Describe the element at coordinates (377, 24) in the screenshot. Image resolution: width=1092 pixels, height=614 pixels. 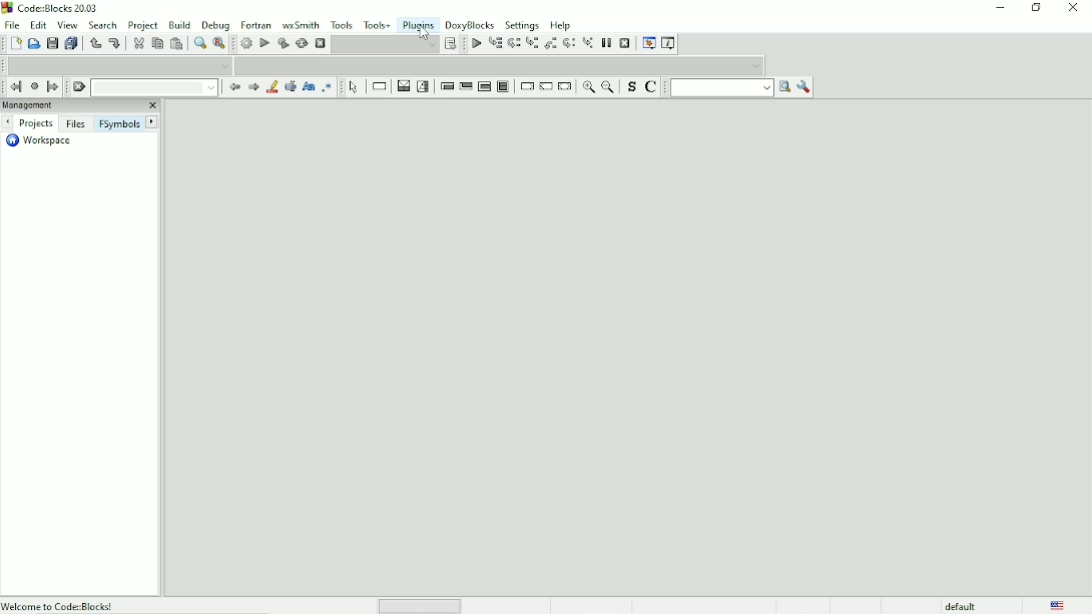
I see `Tools+` at that location.